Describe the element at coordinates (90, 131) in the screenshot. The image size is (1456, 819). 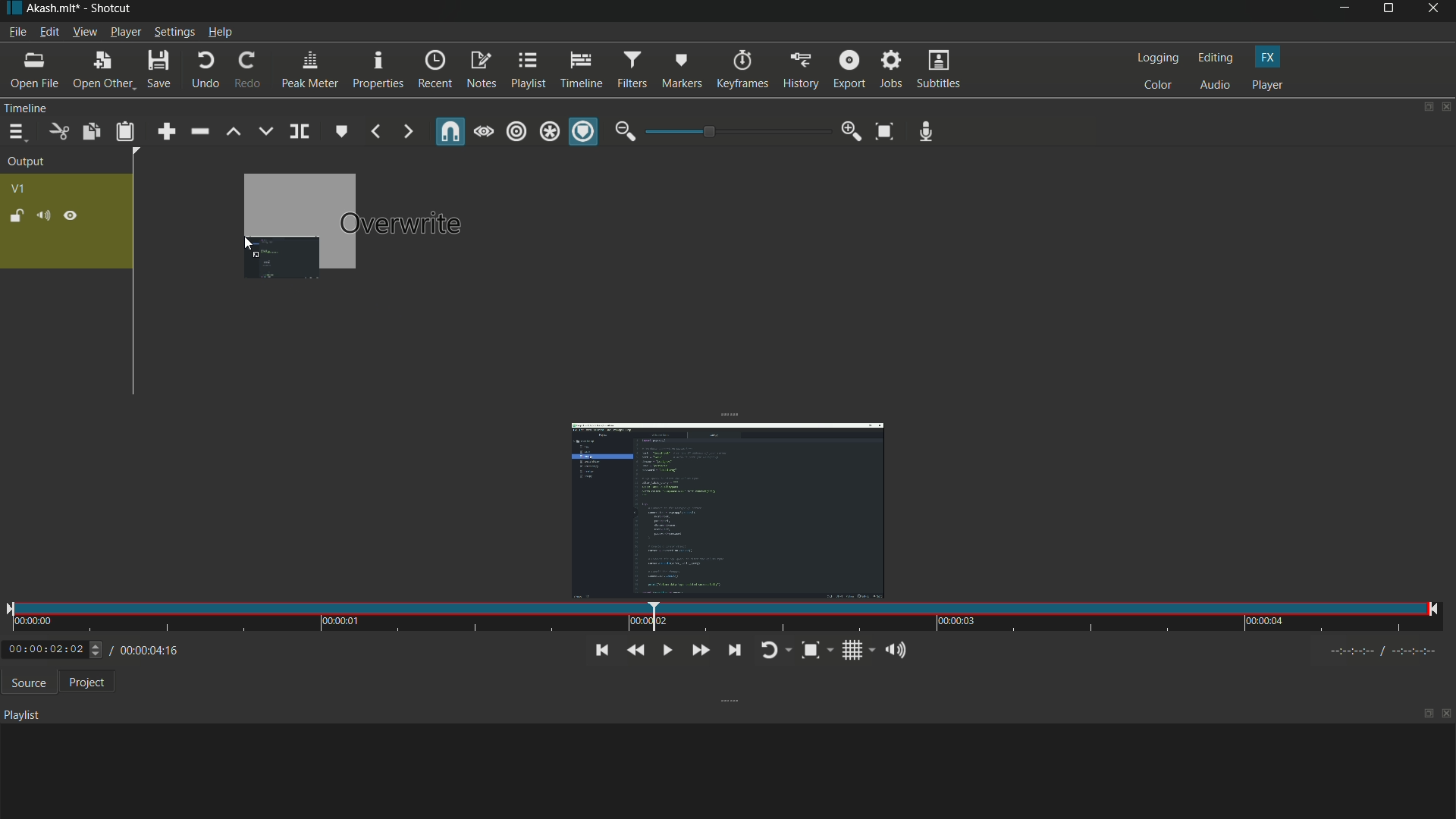
I see `copy` at that location.